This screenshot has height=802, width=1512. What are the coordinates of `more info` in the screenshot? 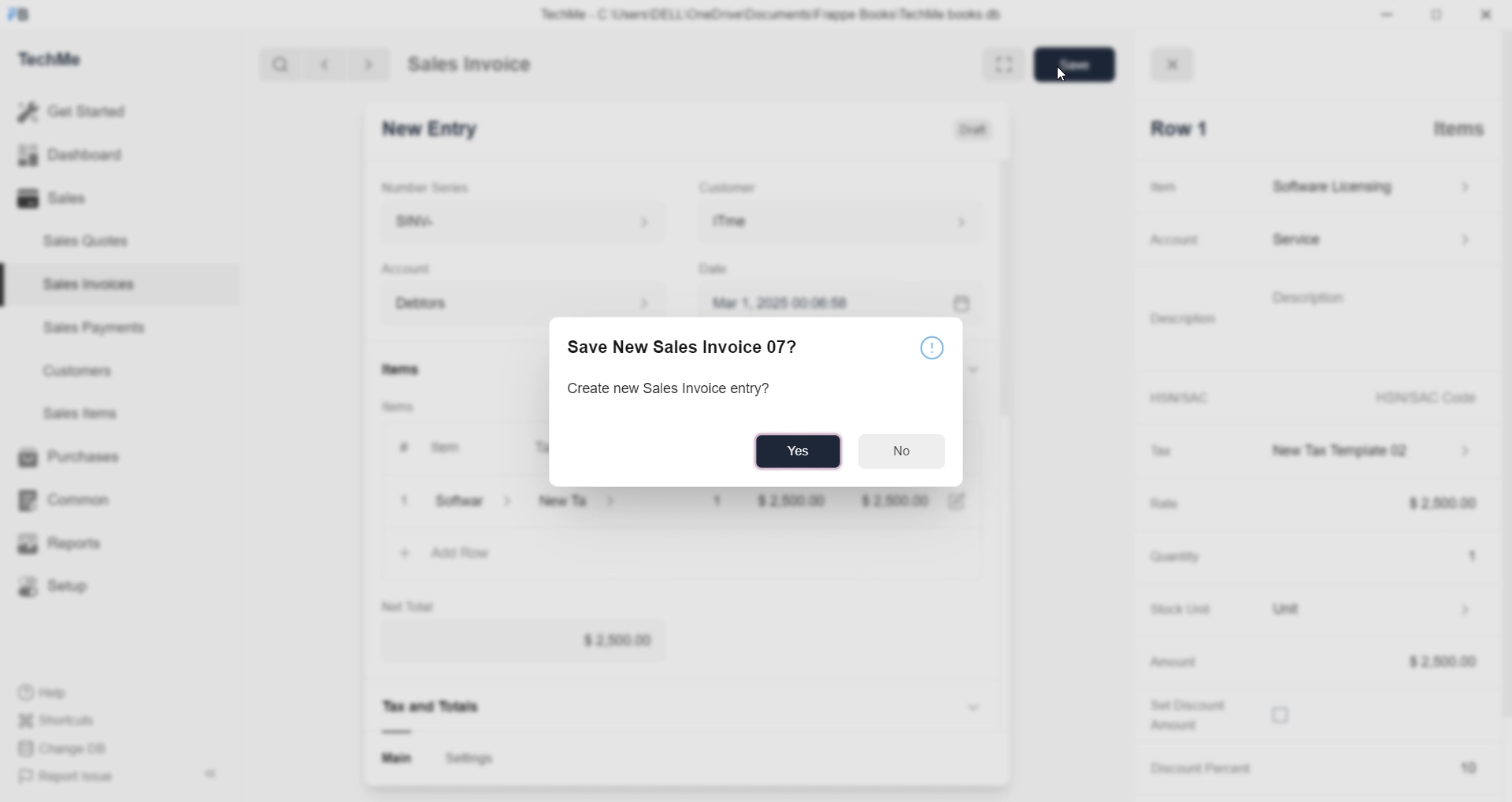 It's located at (935, 348).